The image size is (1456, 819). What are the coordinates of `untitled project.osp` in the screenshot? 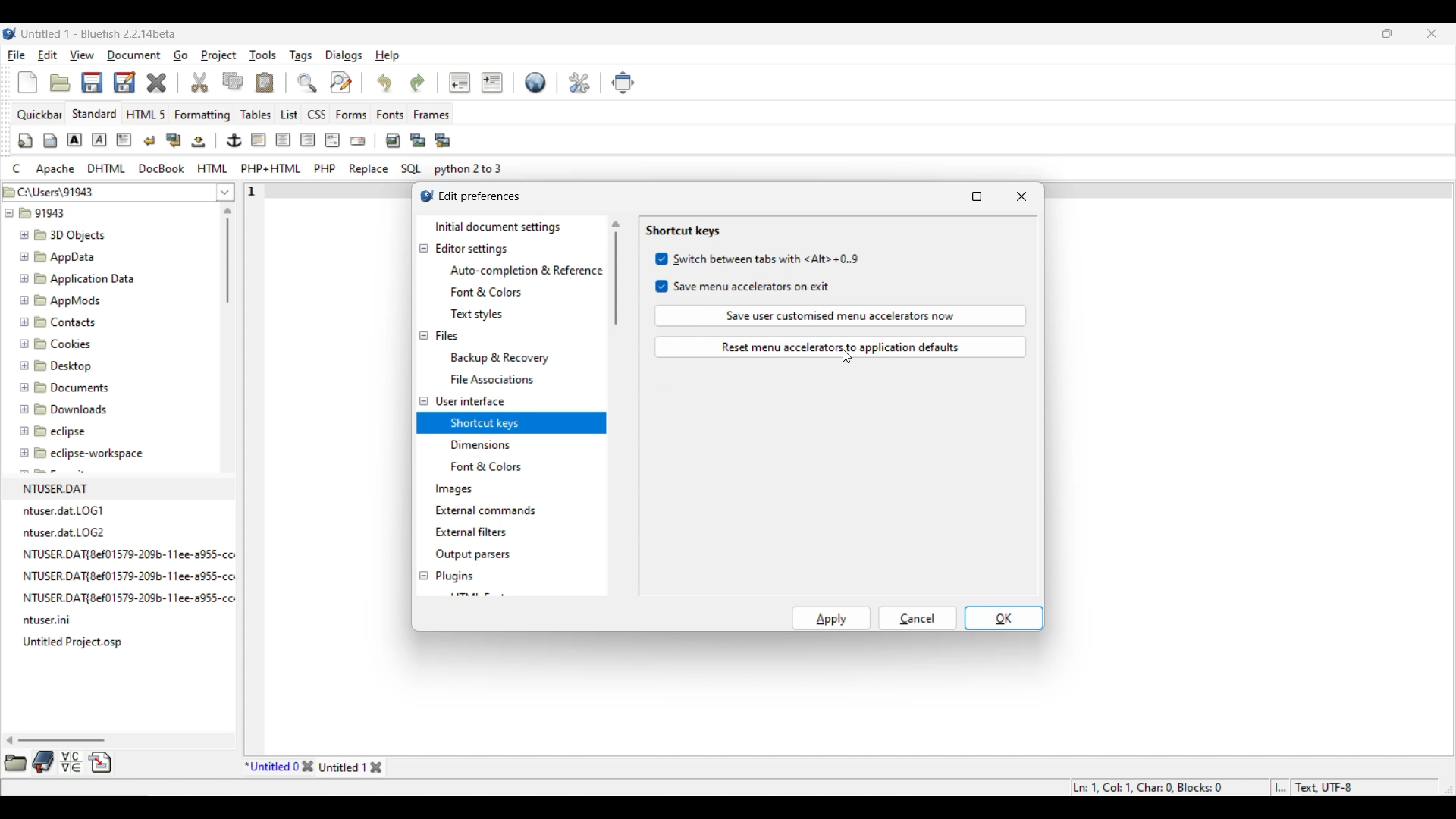 It's located at (76, 642).